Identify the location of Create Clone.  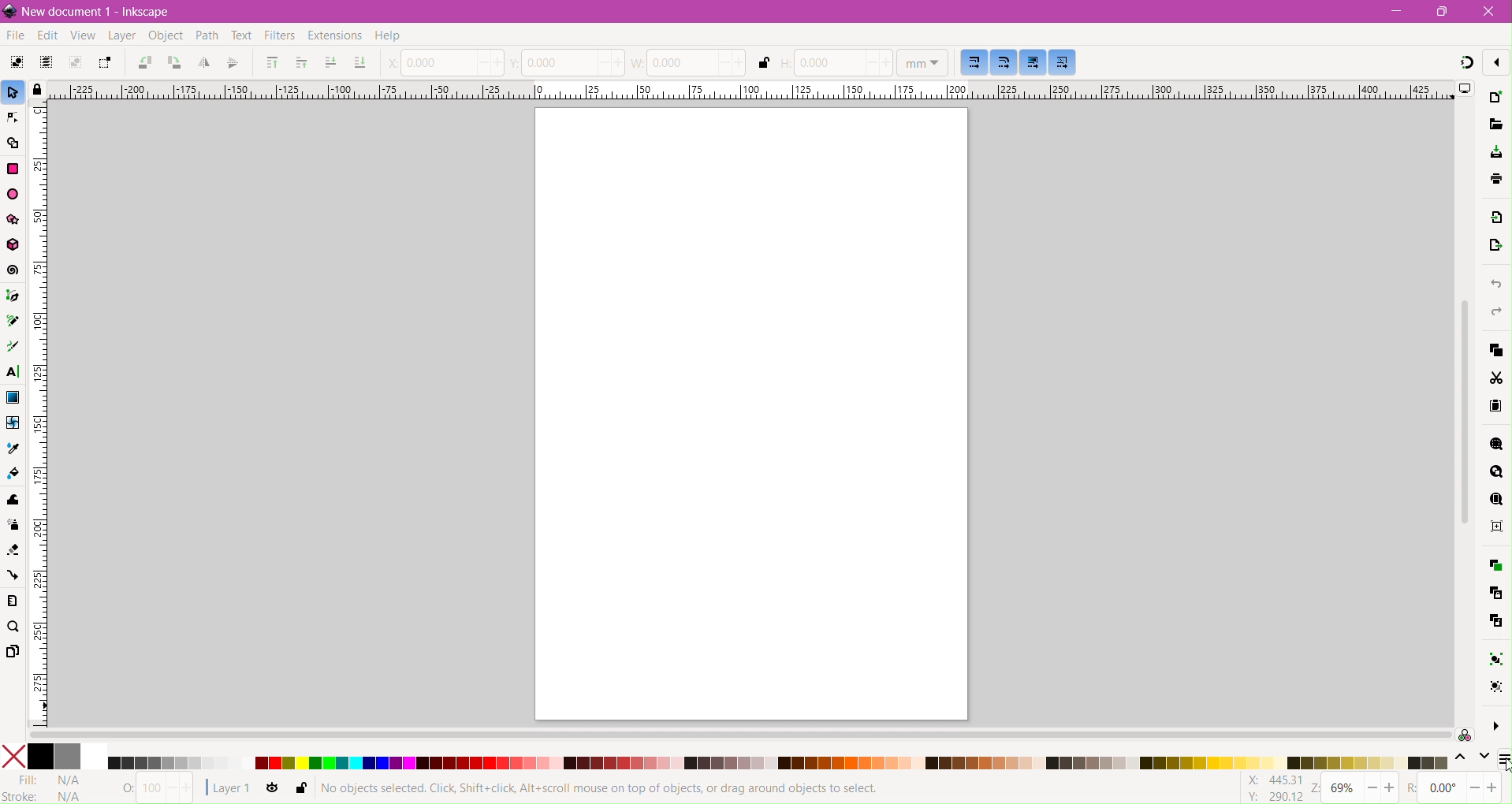
(1494, 594).